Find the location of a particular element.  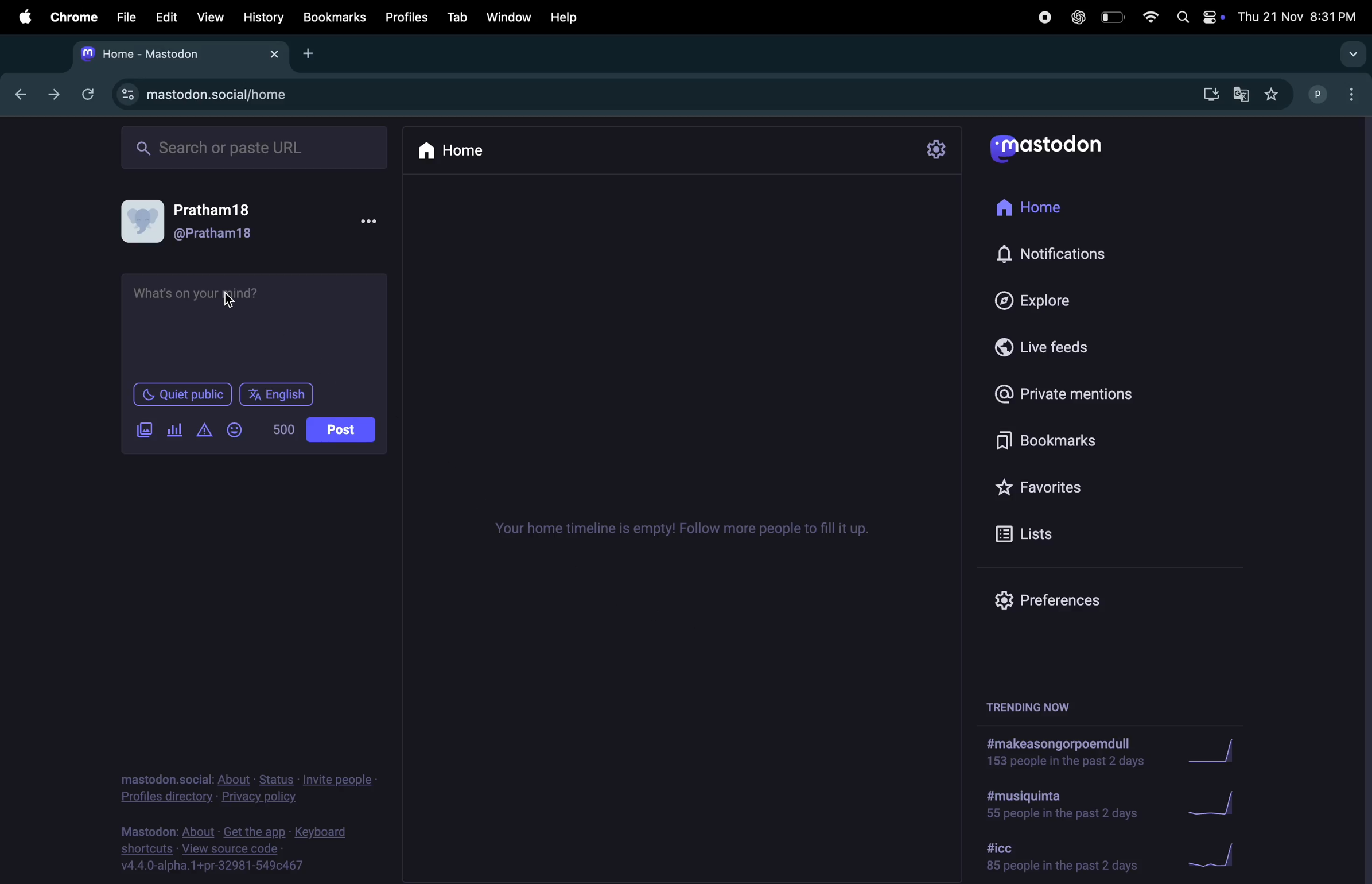

language is located at coordinates (281, 393).